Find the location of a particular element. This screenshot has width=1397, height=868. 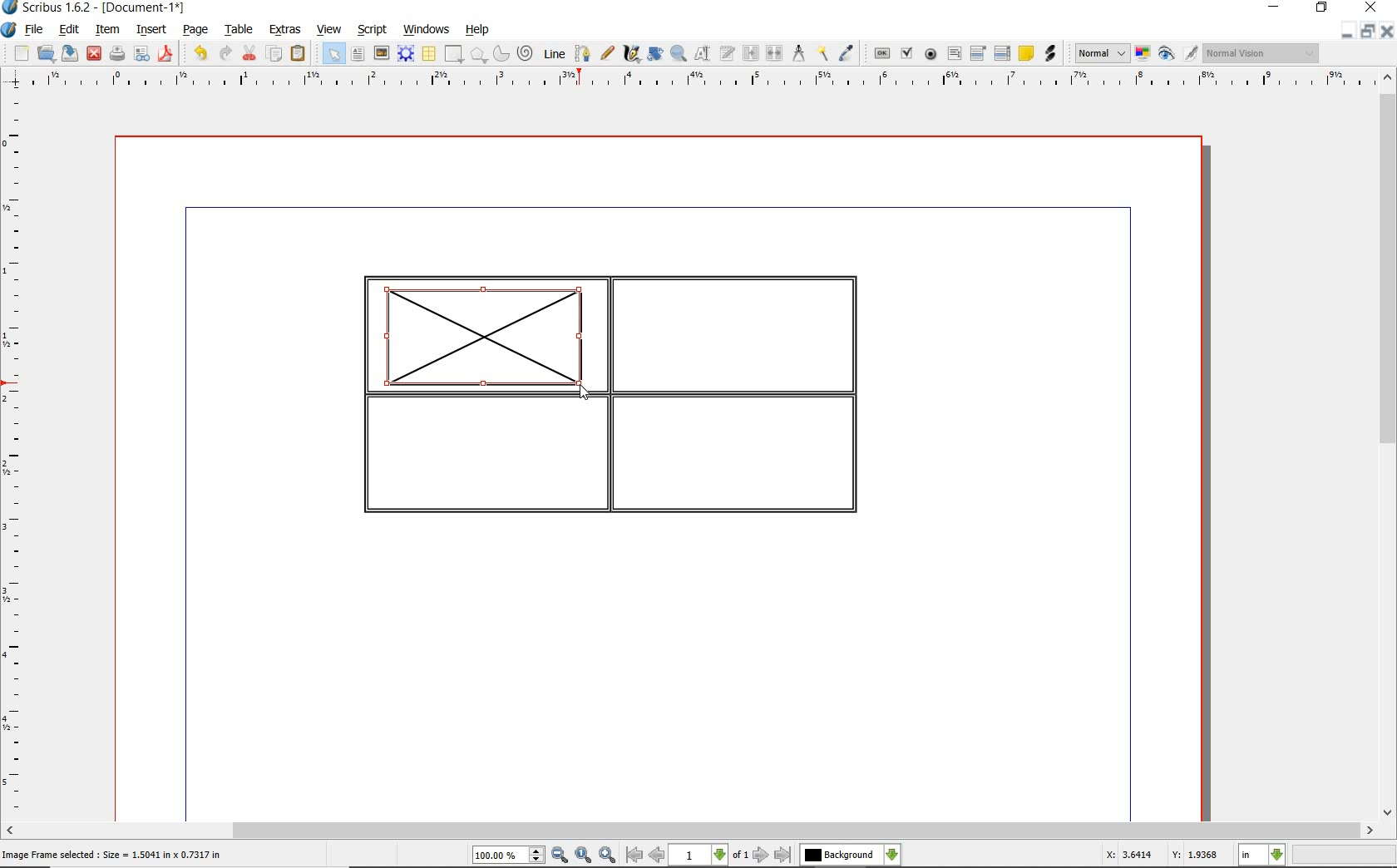

line is located at coordinates (555, 52).